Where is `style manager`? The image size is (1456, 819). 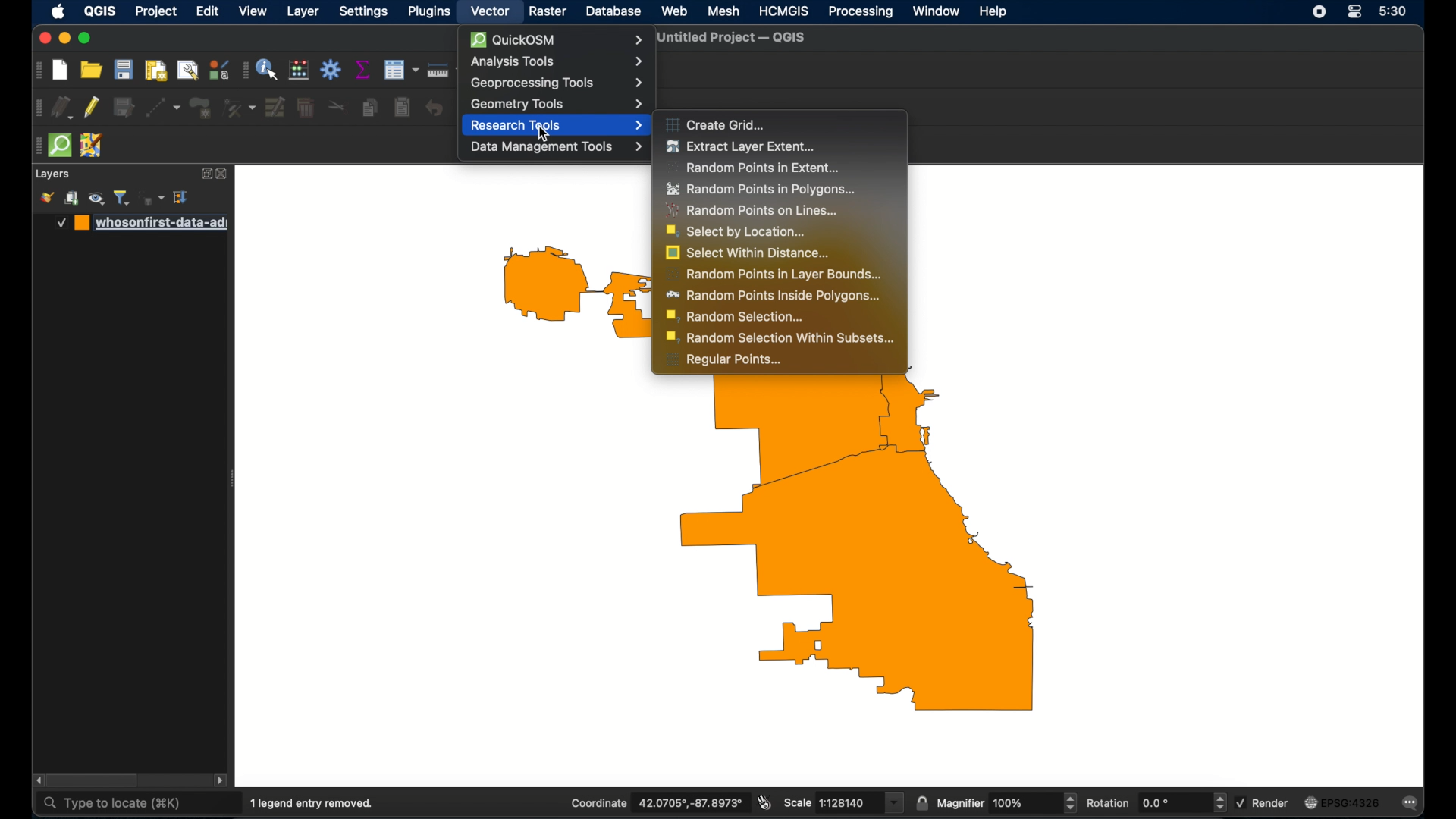 style manager is located at coordinates (220, 68).